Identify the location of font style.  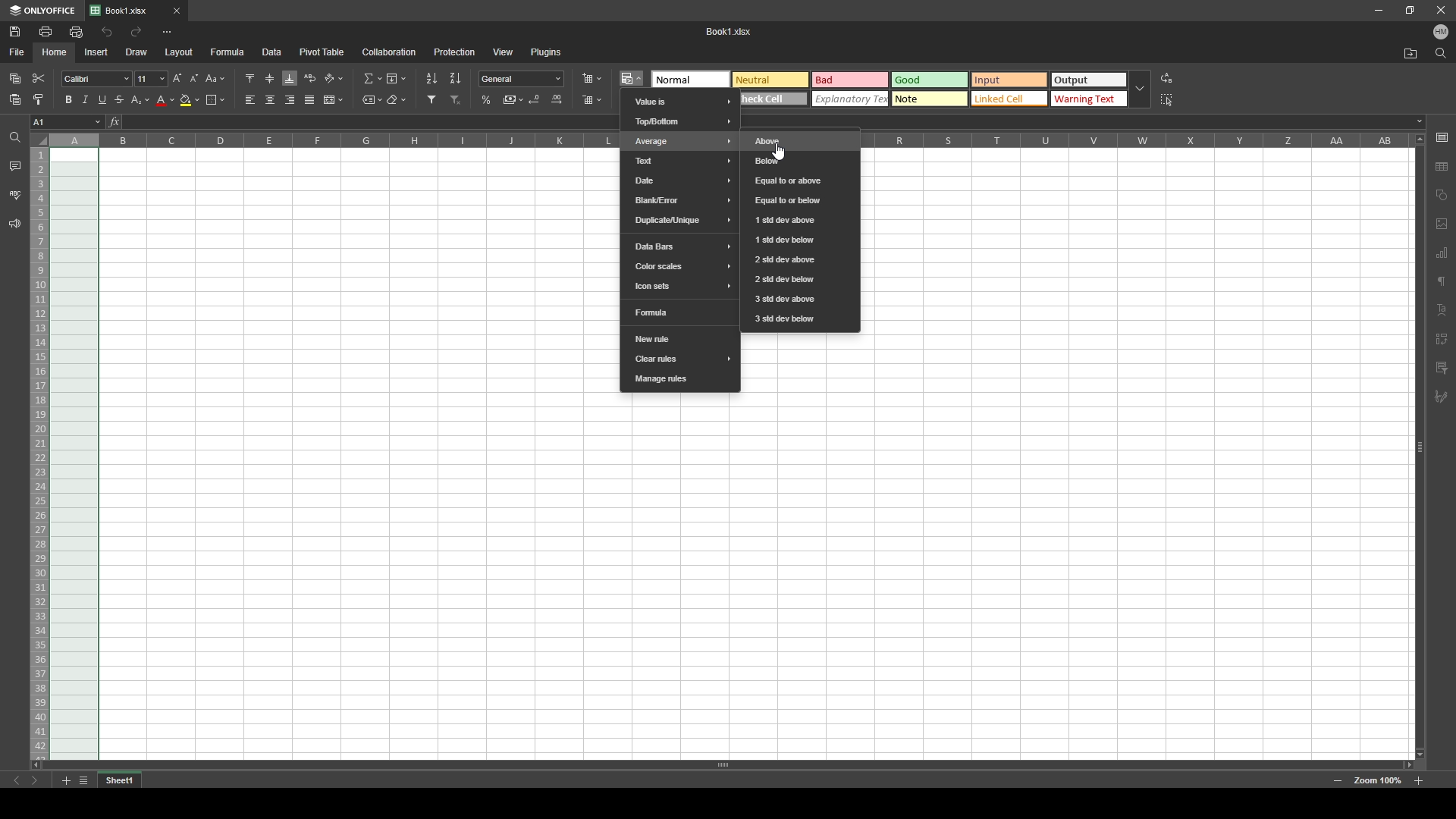
(96, 80).